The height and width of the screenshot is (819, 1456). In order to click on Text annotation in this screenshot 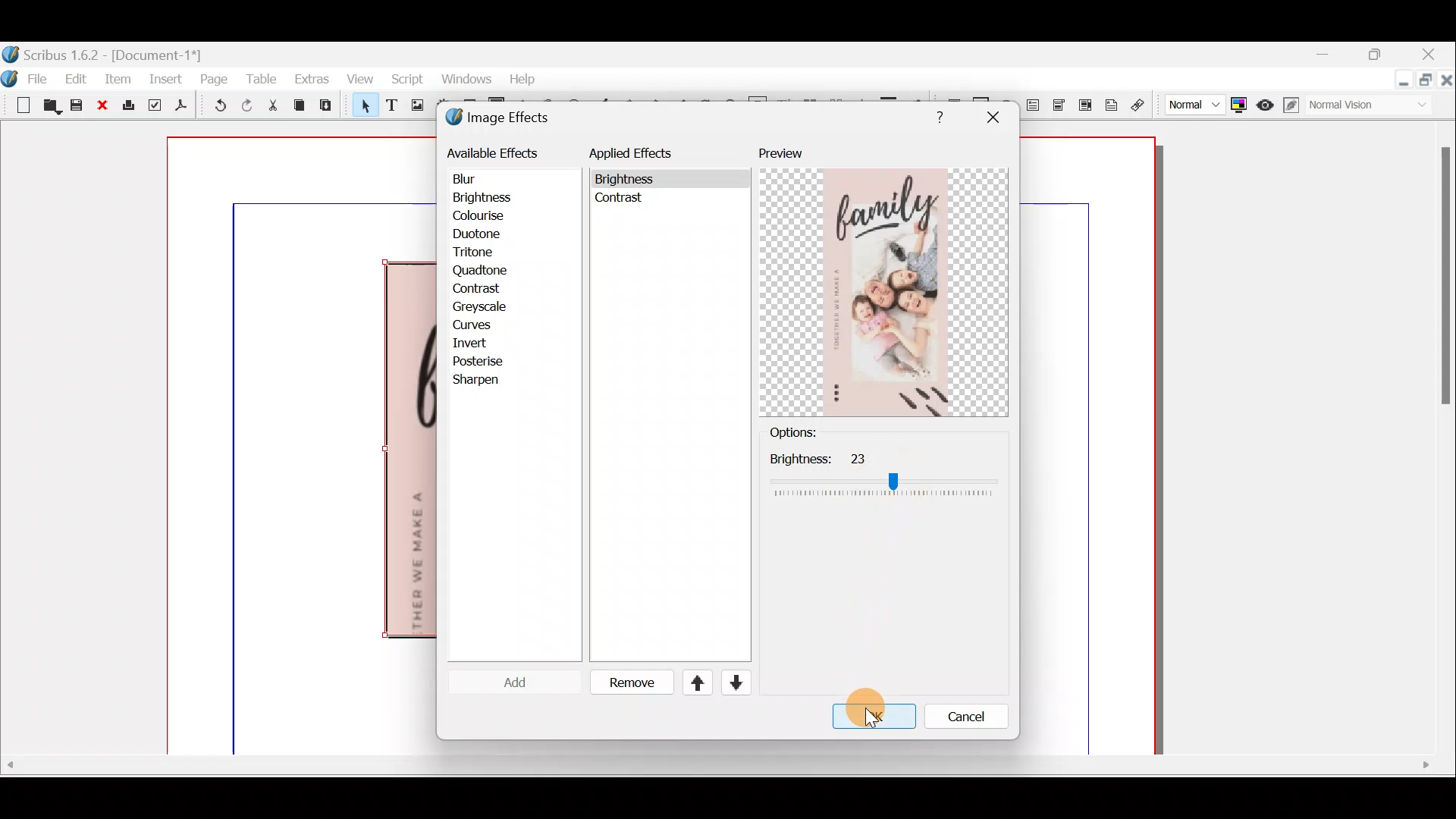, I will do `click(1109, 103)`.